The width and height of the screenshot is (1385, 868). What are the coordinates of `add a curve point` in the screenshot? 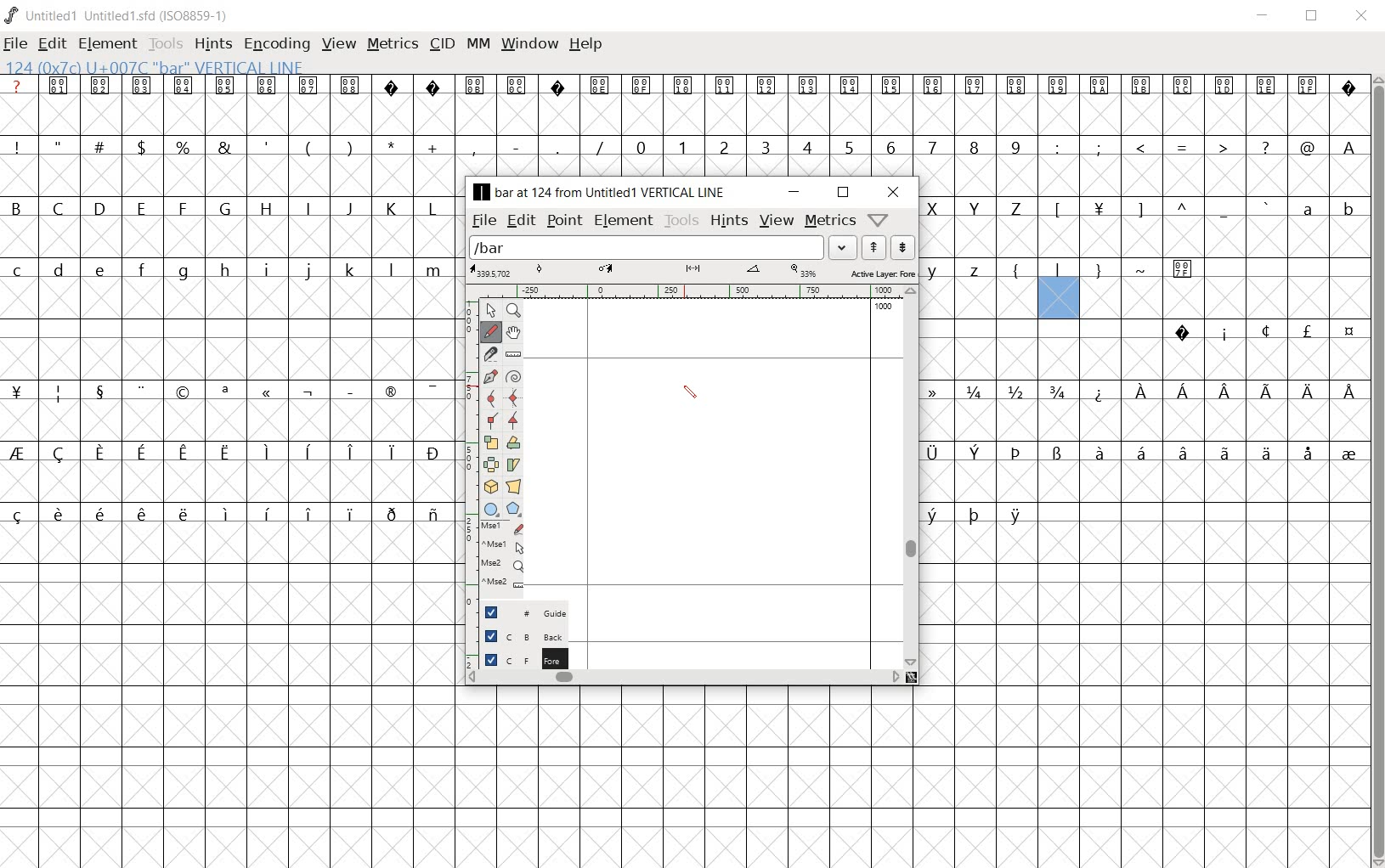 It's located at (489, 397).